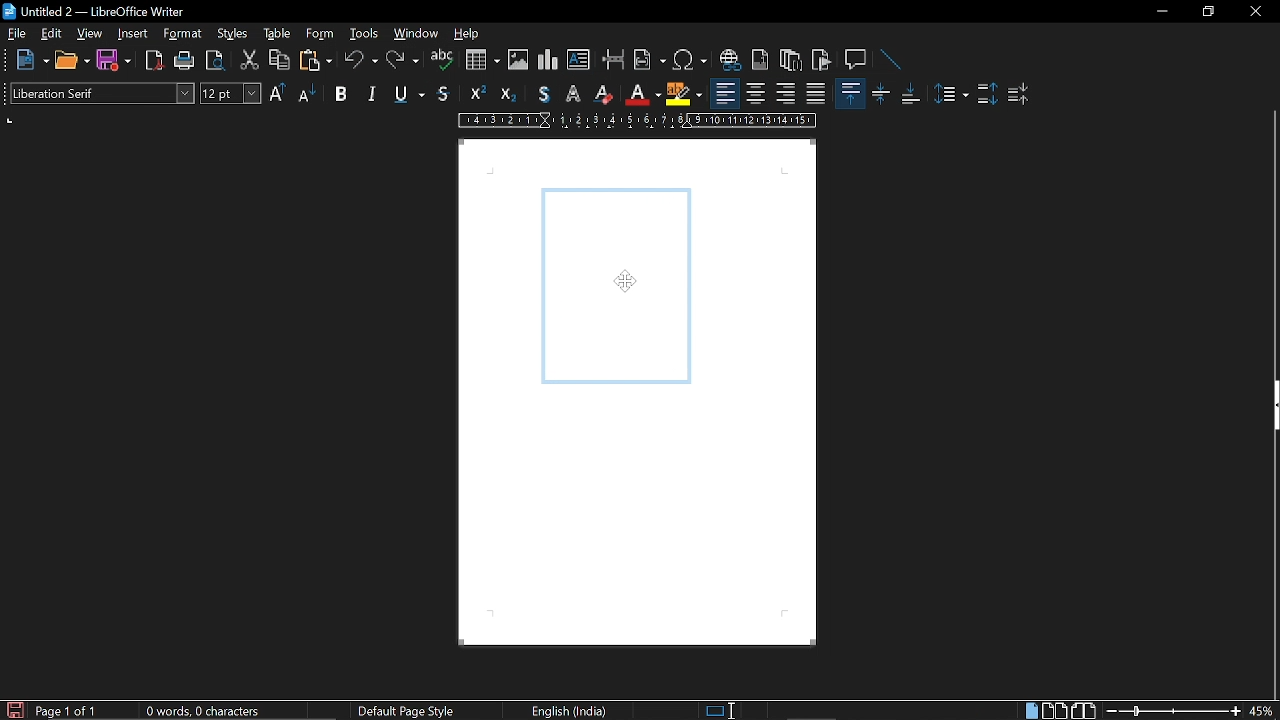 This screenshot has width=1280, height=720. I want to click on restore down, so click(1207, 12).